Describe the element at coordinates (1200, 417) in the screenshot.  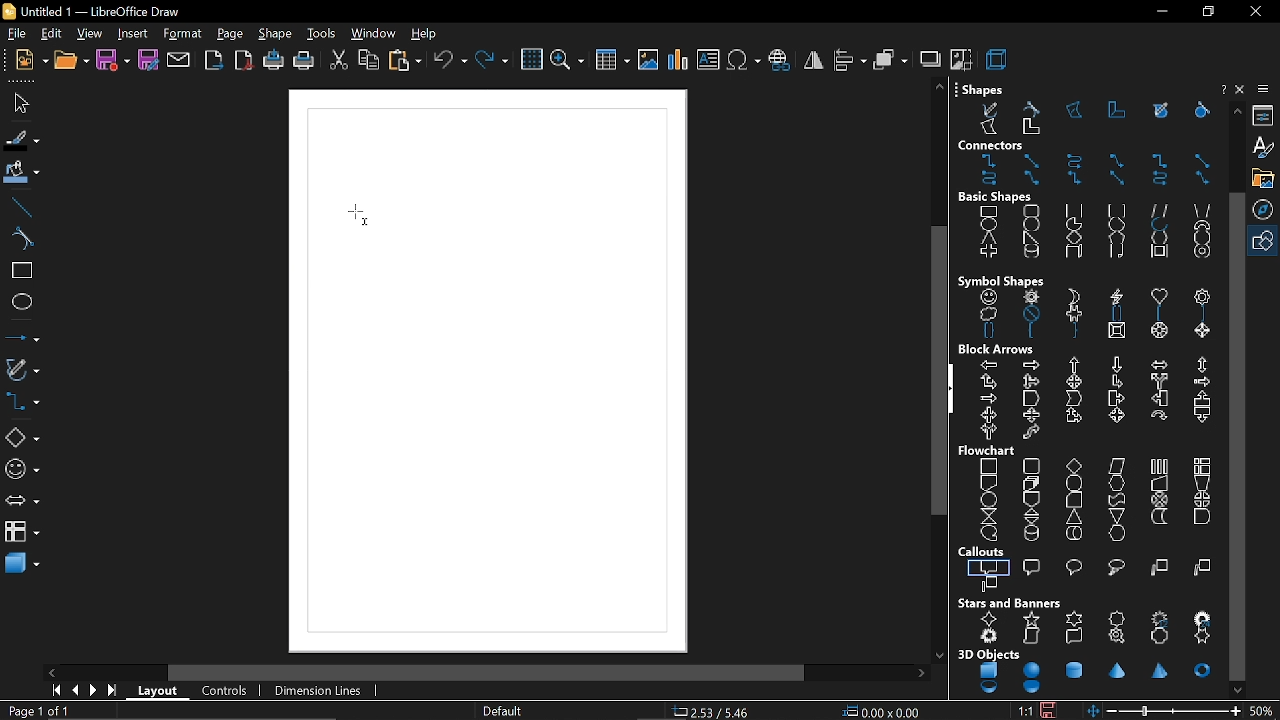
I see `down arrow callout` at that location.